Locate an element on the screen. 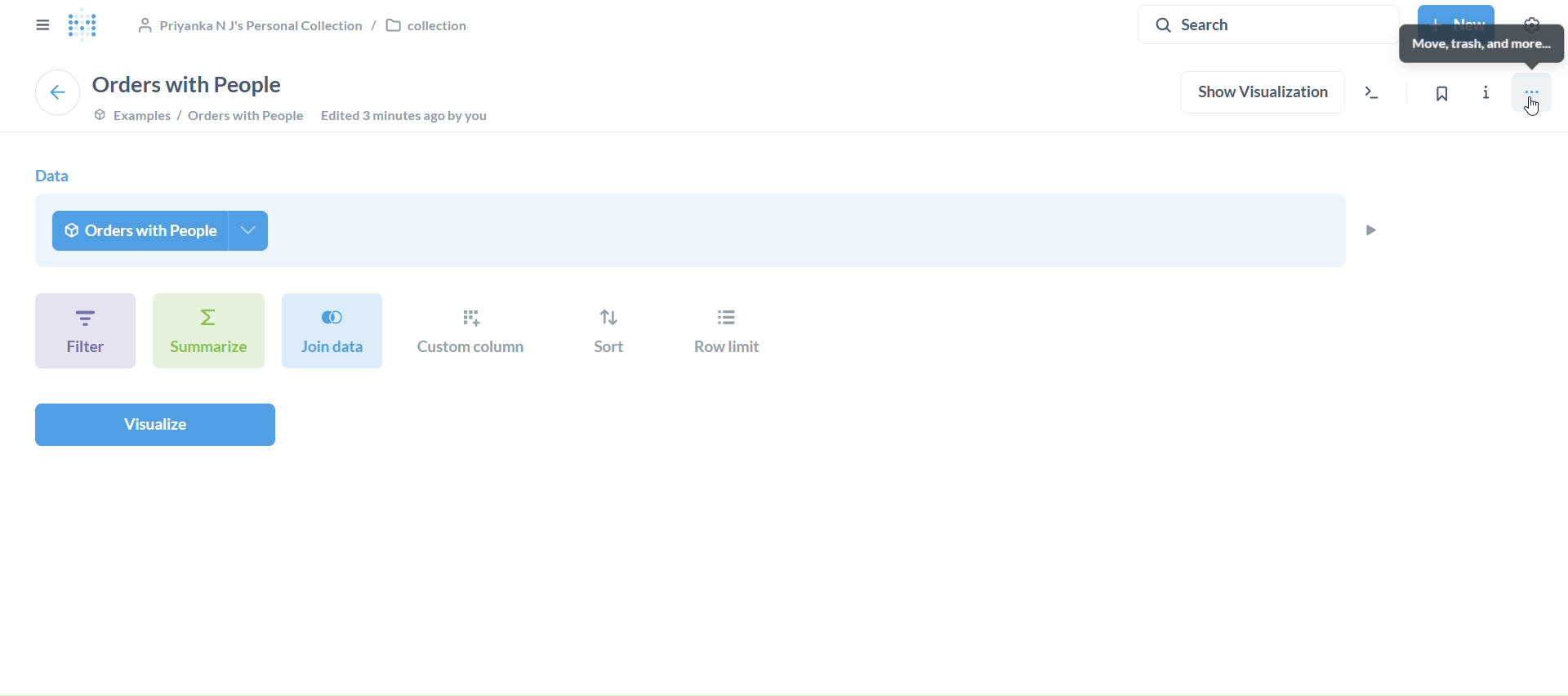  close sidebar is located at coordinates (42, 25).